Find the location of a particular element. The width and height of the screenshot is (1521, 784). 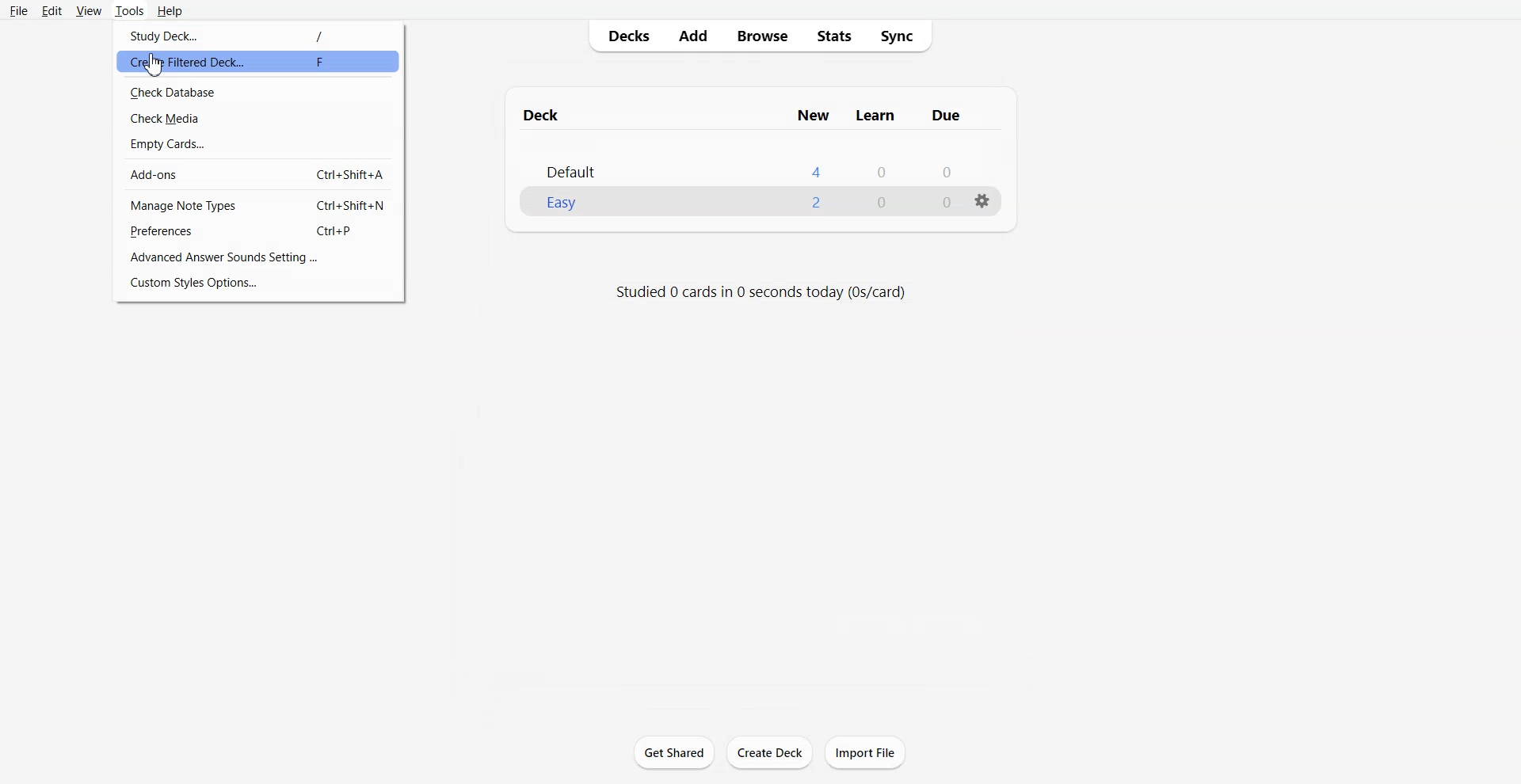

settings is located at coordinates (982, 207).